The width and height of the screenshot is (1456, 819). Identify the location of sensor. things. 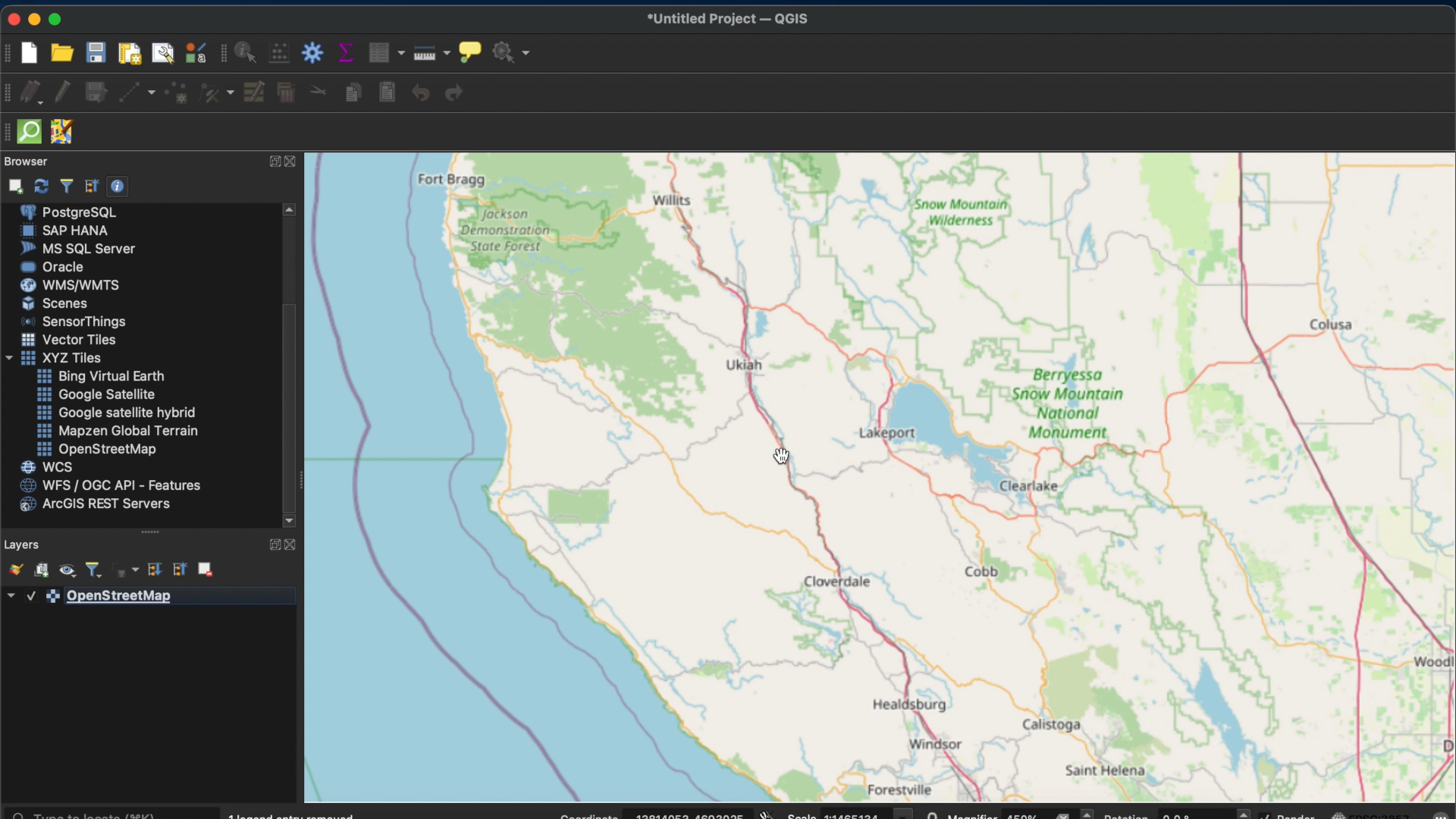
(69, 321).